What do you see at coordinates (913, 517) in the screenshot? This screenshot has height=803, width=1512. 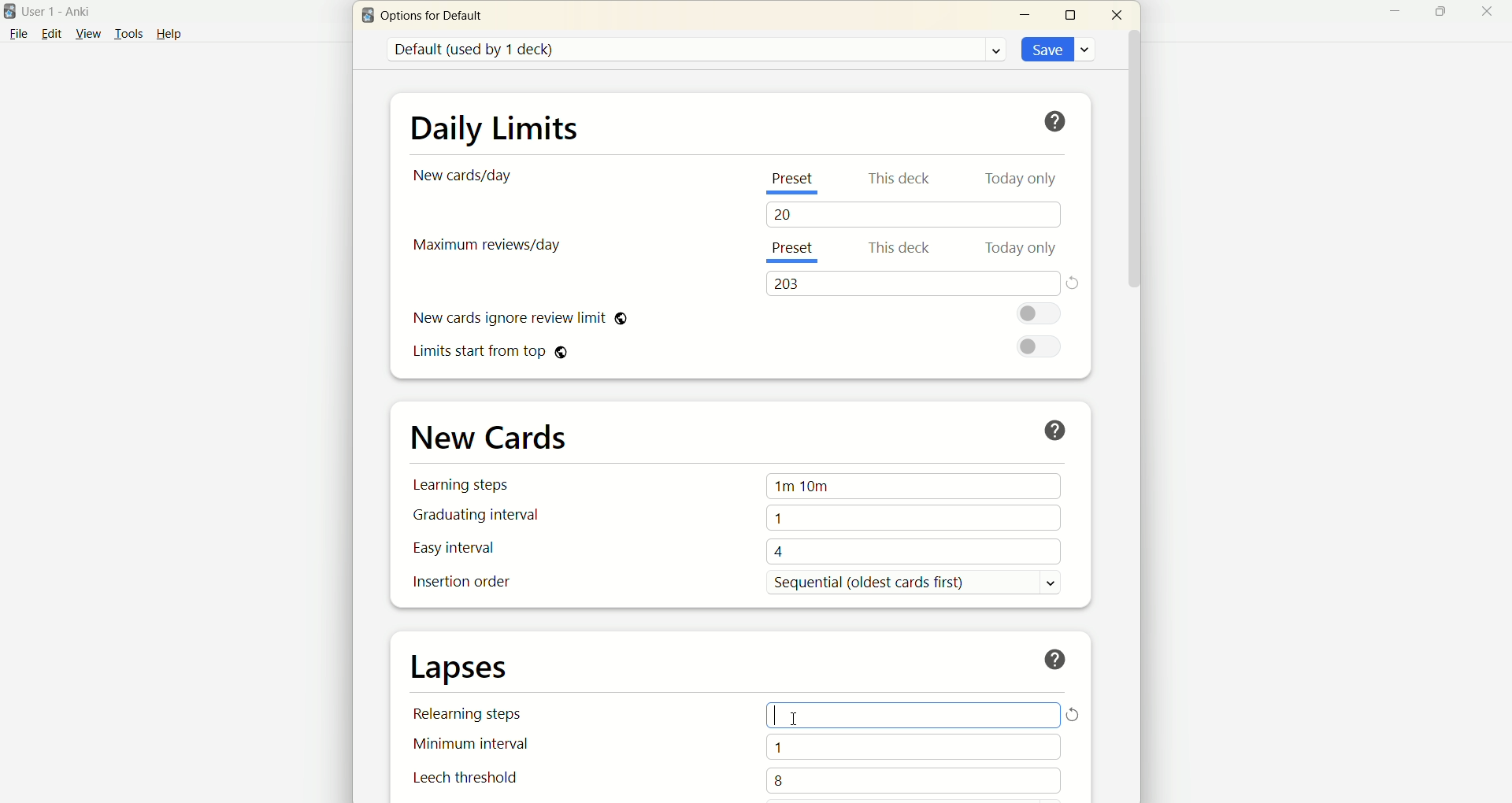 I see `1` at bounding box center [913, 517].